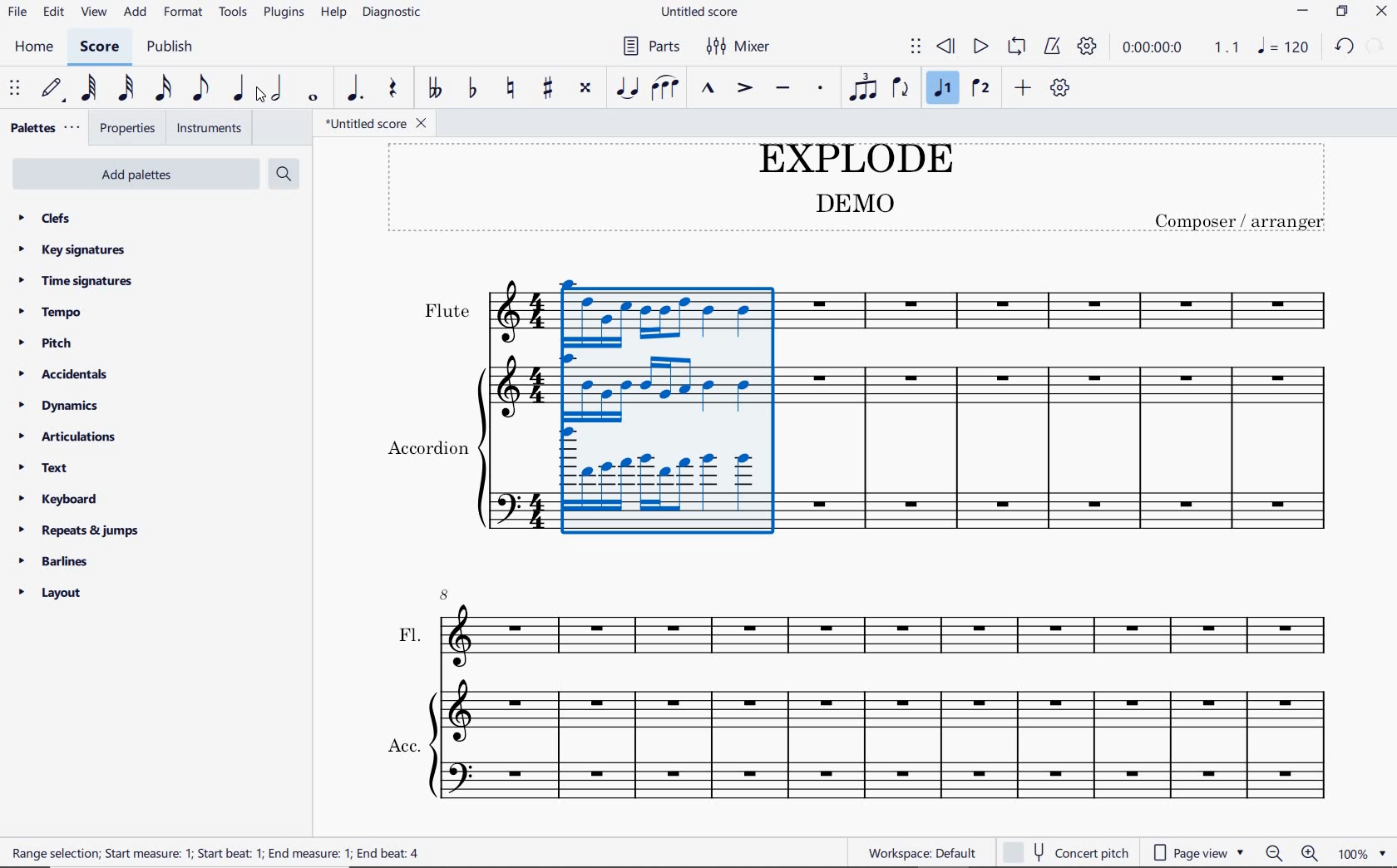 Image resolution: width=1397 pixels, height=868 pixels. What do you see at coordinates (743, 45) in the screenshot?
I see `mixer` at bounding box center [743, 45].